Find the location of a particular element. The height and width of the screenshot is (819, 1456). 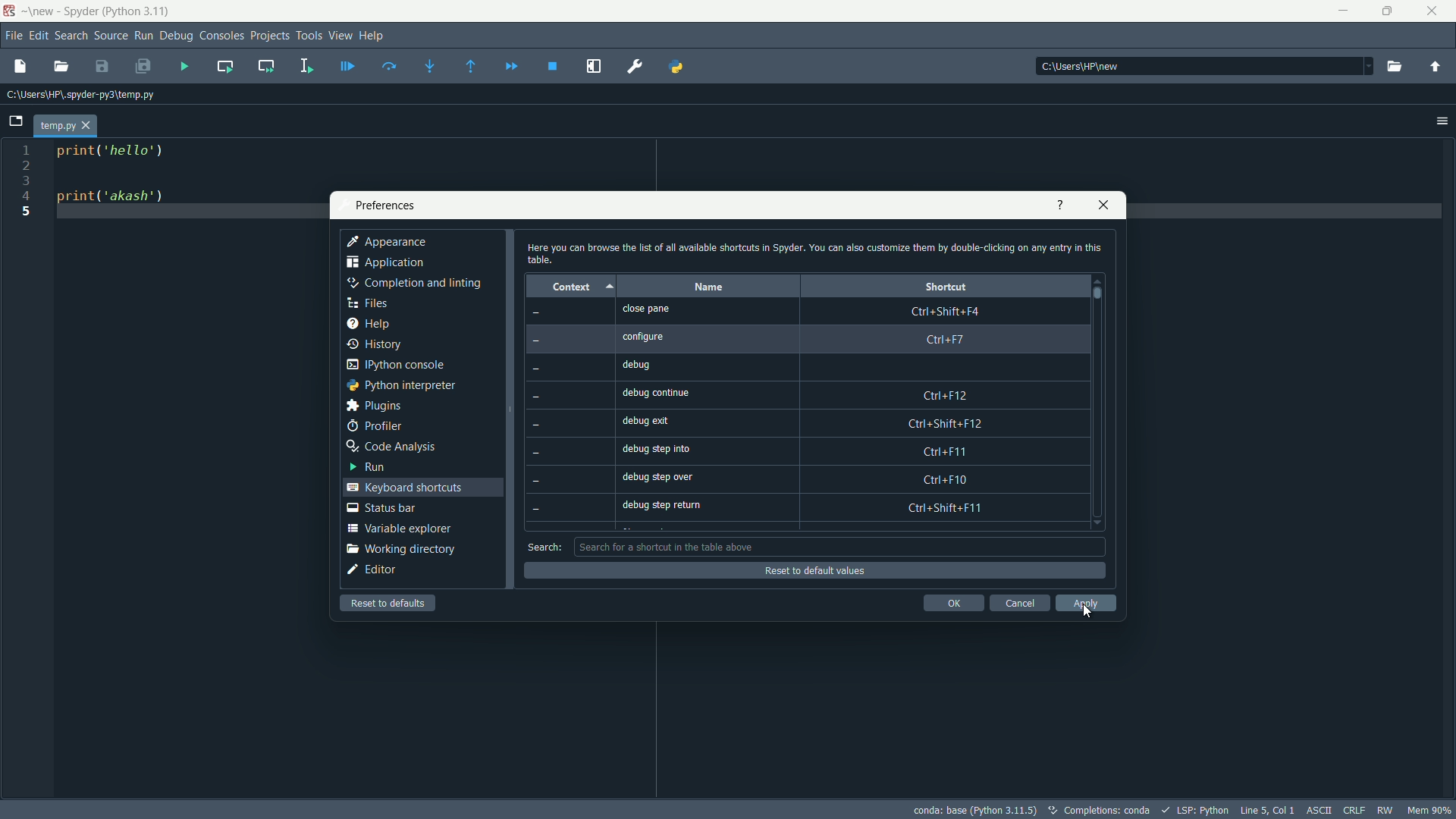

variable explorer is located at coordinates (397, 528).